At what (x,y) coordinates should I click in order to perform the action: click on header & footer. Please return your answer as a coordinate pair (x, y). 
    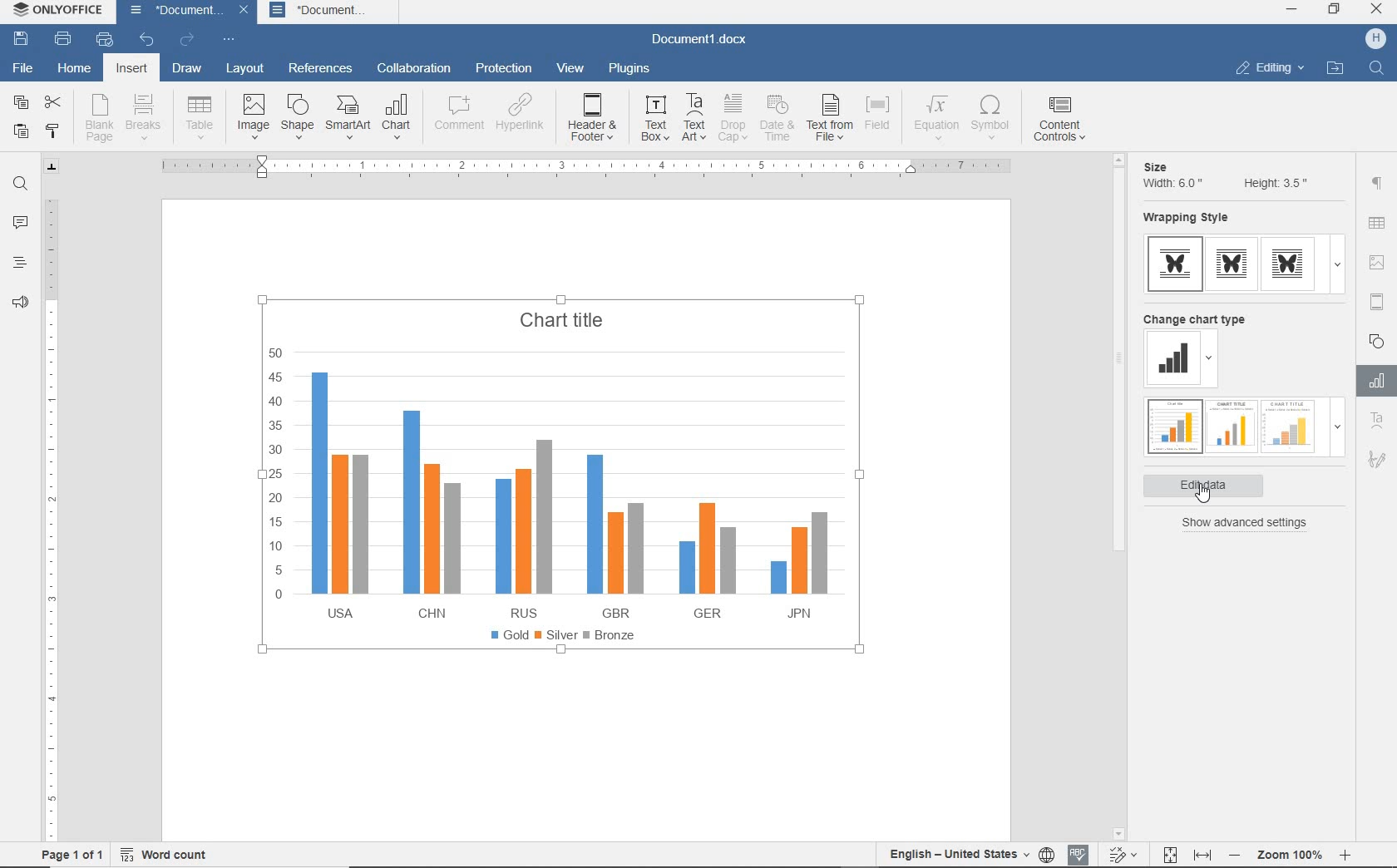
    Looking at the image, I should click on (595, 118).